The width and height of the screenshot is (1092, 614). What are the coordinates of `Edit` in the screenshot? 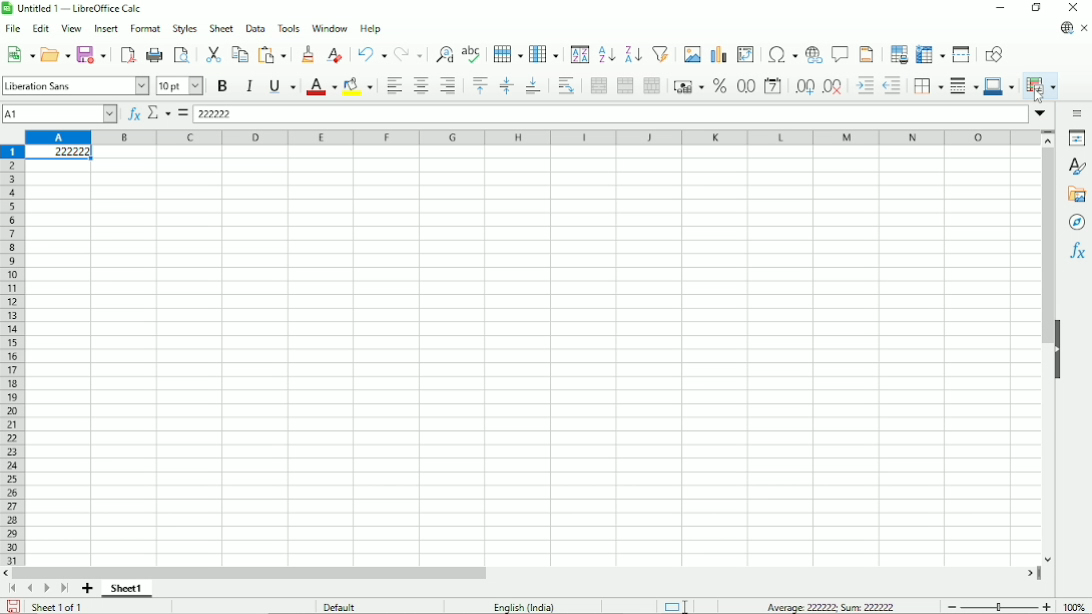 It's located at (40, 30).